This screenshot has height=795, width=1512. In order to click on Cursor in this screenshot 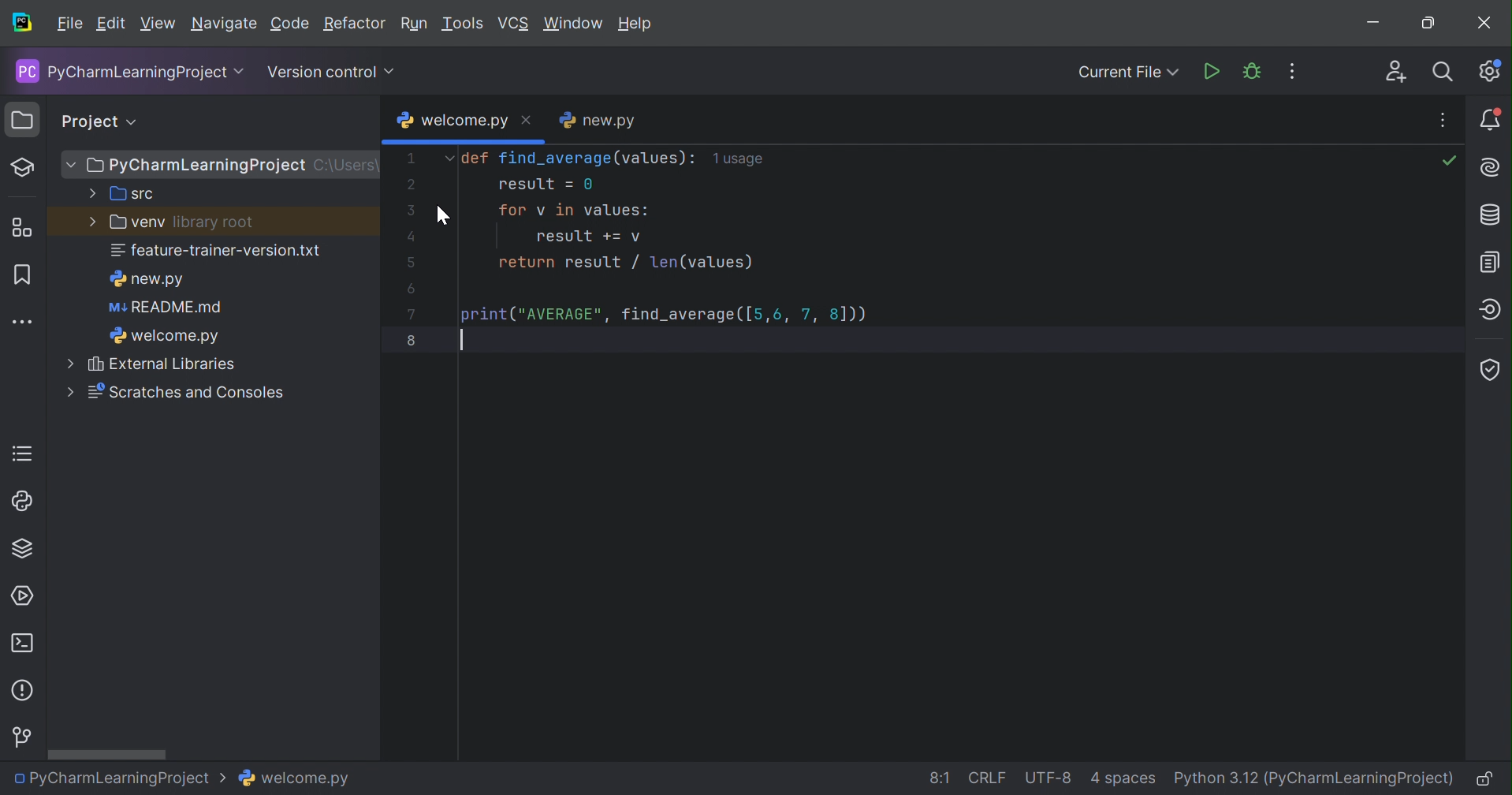, I will do `click(445, 214)`.